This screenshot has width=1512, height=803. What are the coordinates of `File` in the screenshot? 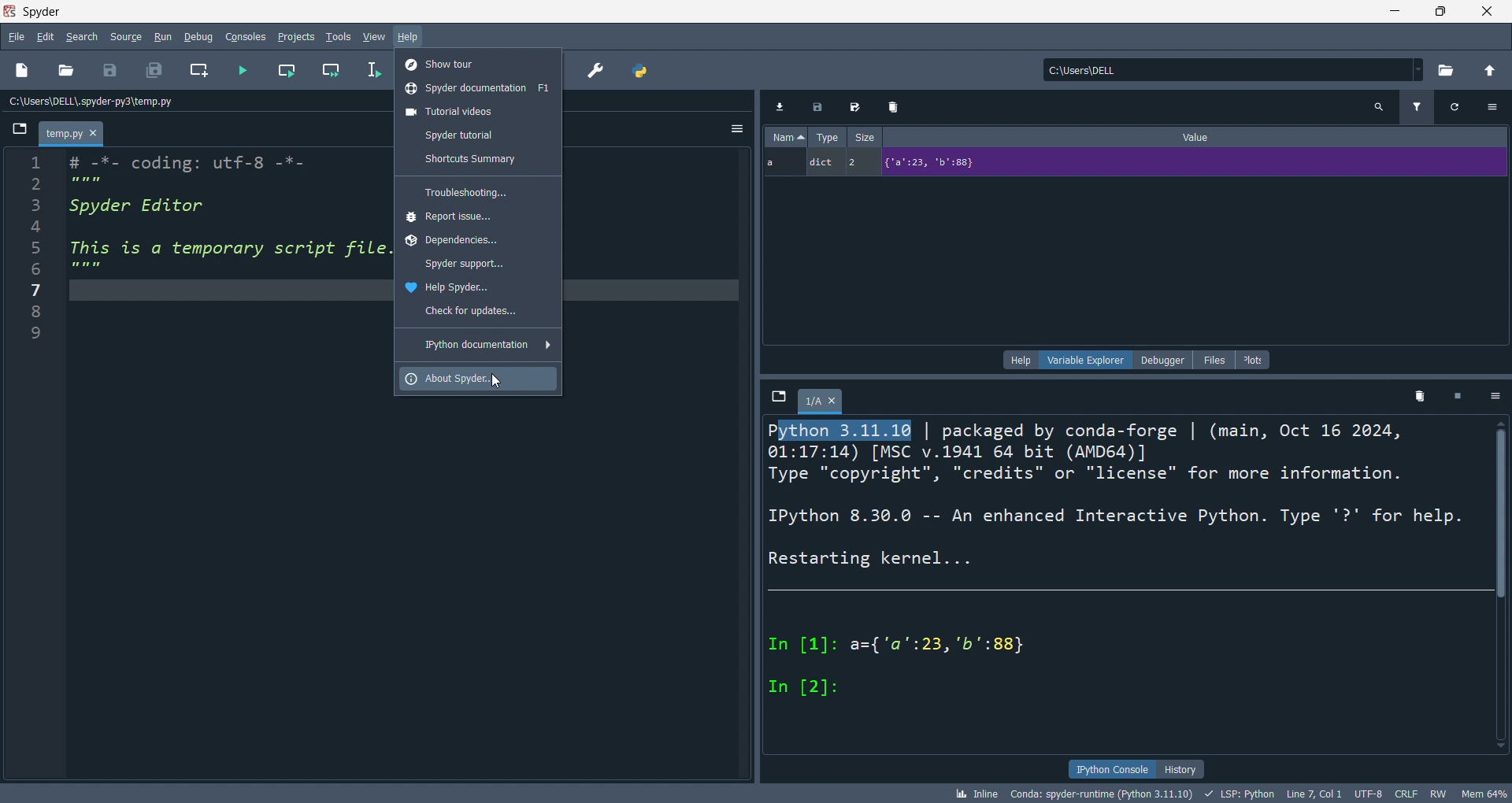 It's located at (779, 396).